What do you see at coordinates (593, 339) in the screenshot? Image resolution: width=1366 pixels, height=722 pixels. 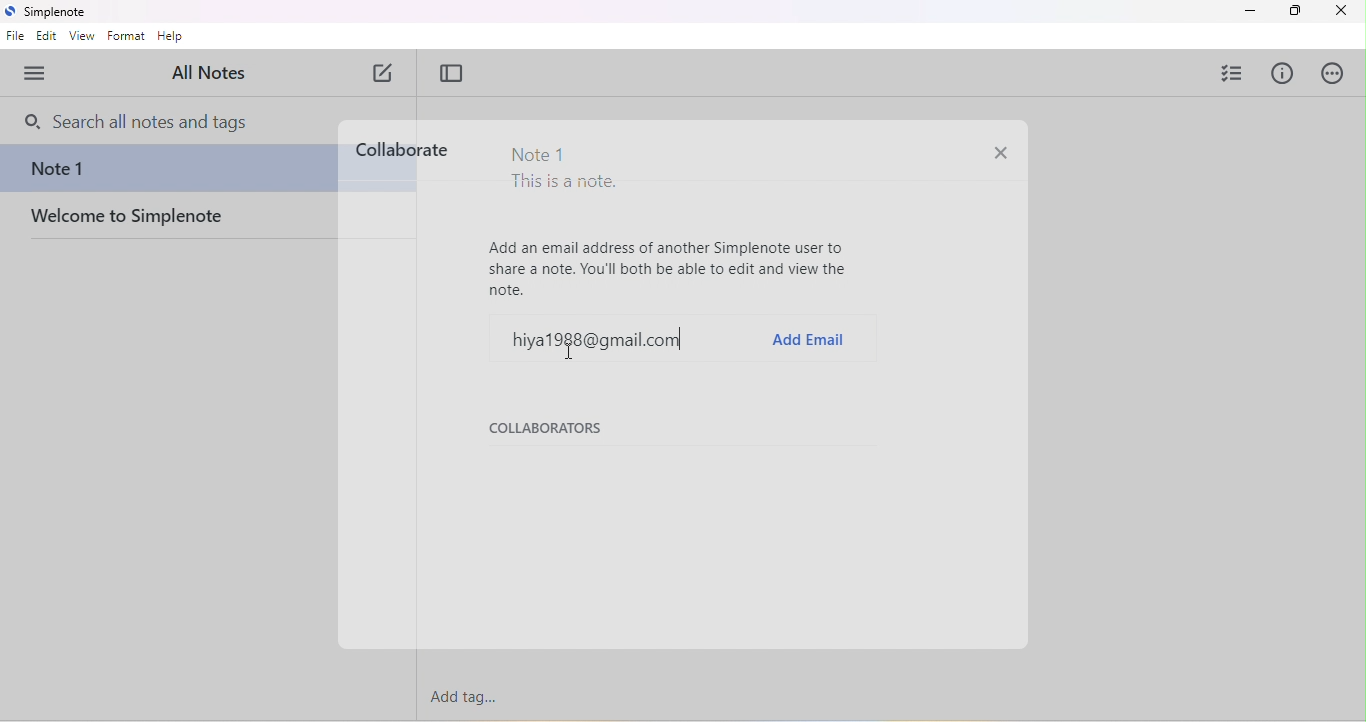 I see `hiya1988@gmail.com` at bounding box center [593, 339].